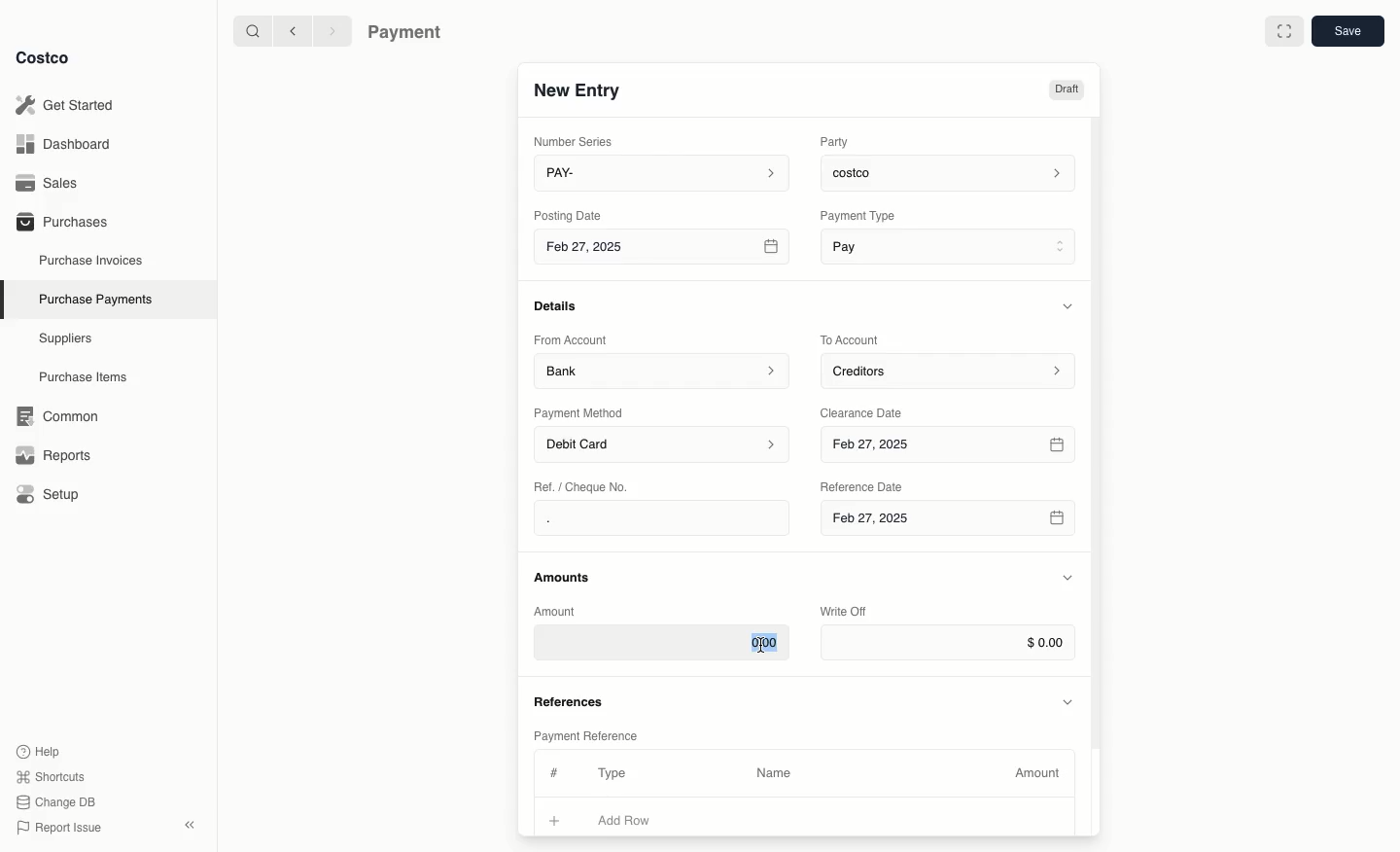 The height and width of the screenshot is (852, 1400). What do you see at coordinates (1284, 34) in the screenshot?
I see `Full width toggle` at bounding box center [1284, 34].